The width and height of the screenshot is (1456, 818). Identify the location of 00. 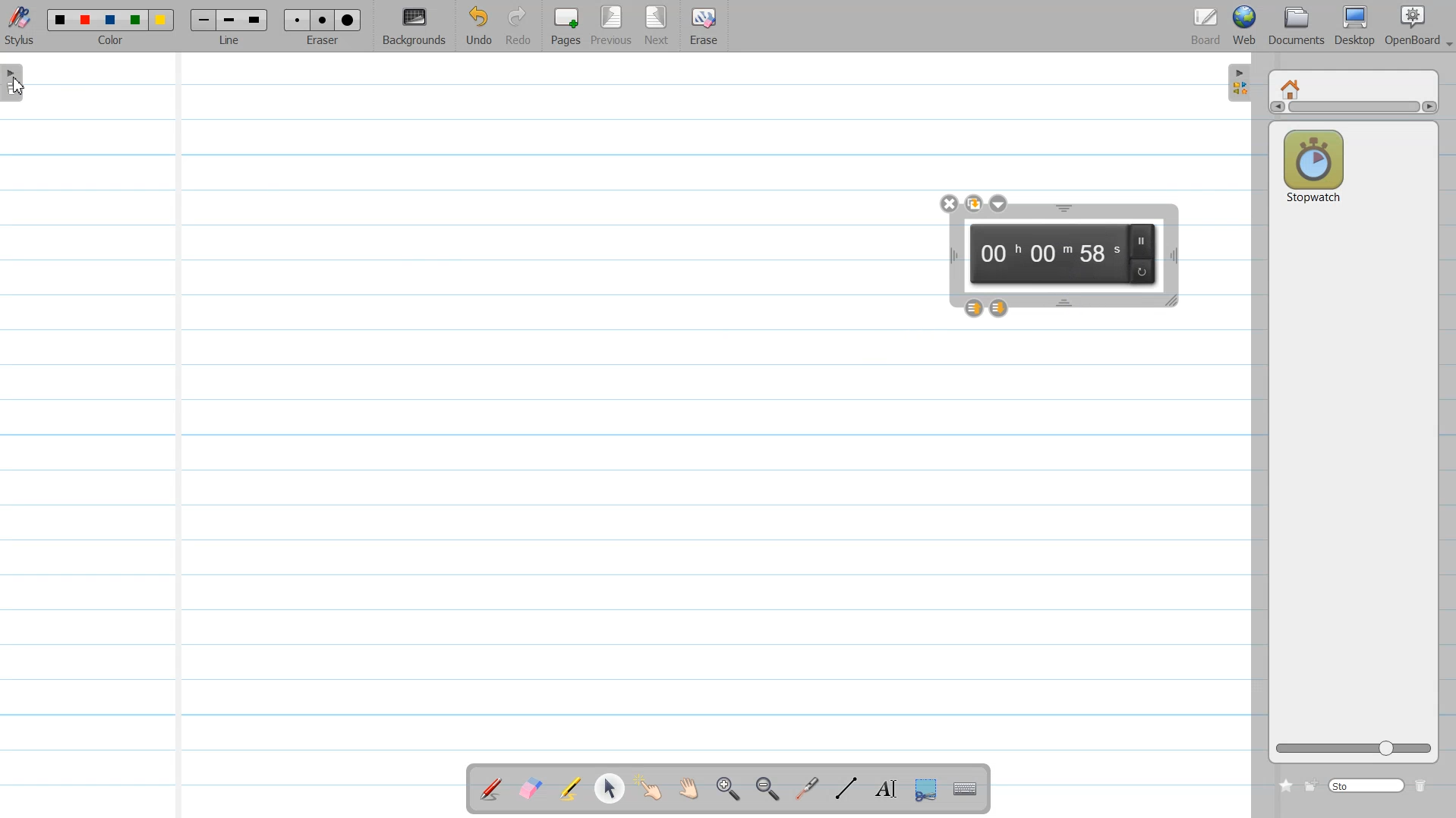
(1049, 256).